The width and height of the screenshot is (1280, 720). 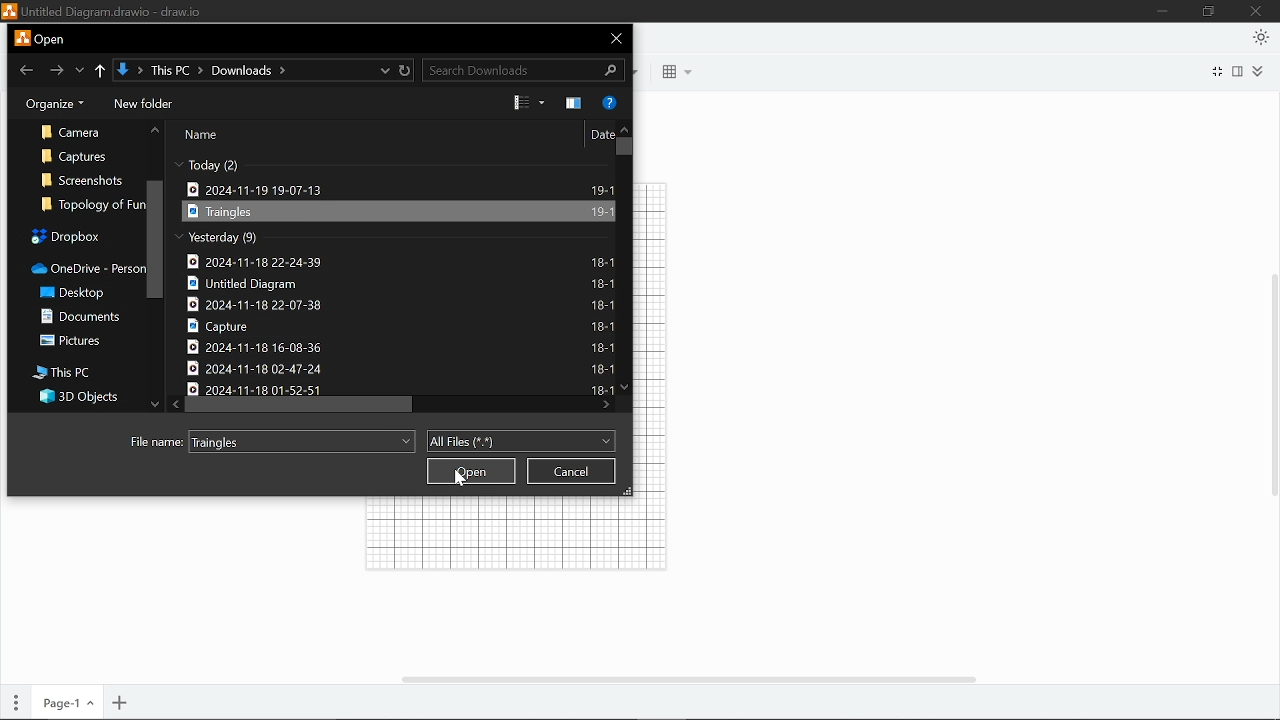 I want to click on Previous location, so click(x=79, y=69).